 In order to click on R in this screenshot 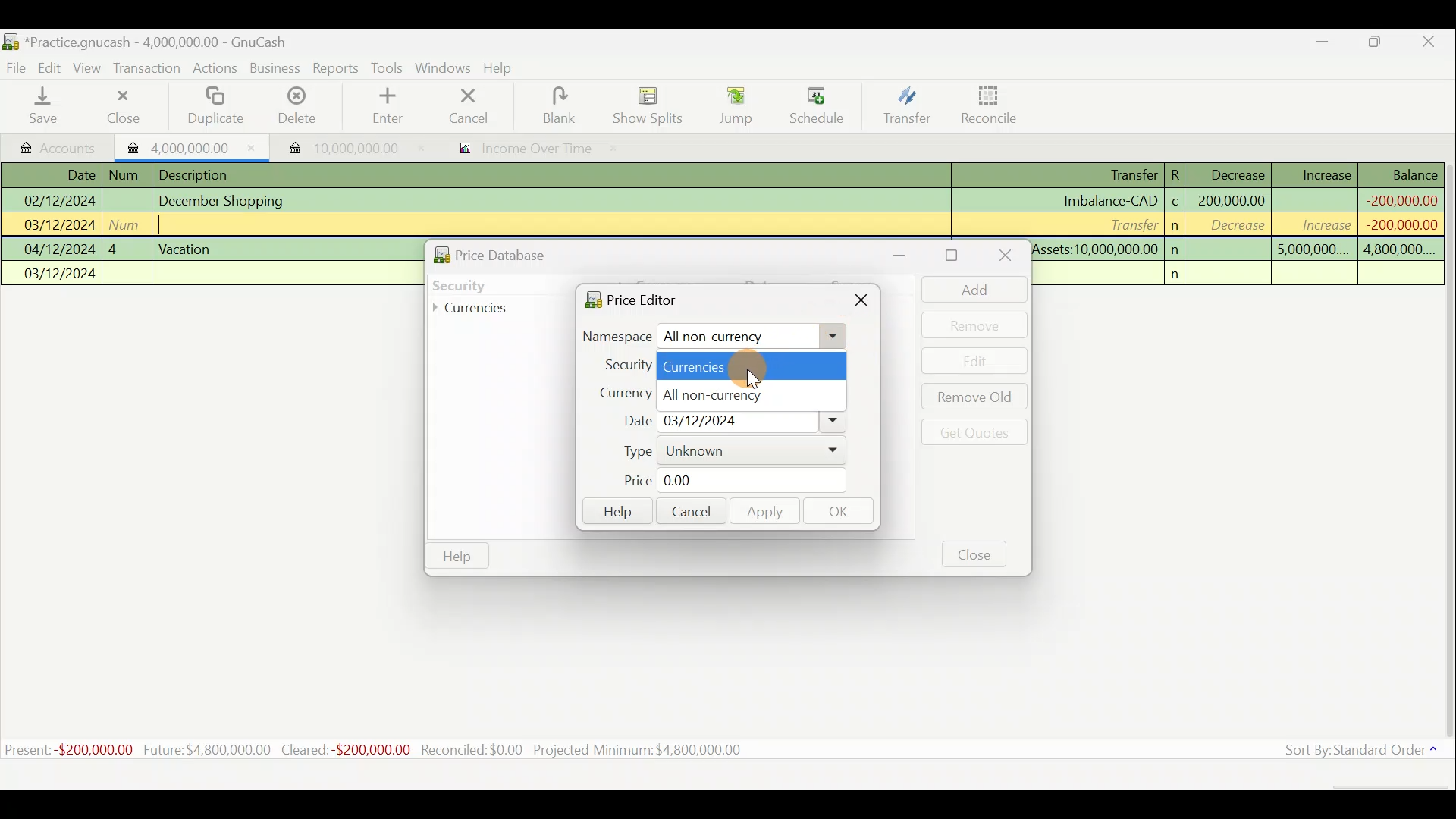, I will do `click(1180, 174)`.